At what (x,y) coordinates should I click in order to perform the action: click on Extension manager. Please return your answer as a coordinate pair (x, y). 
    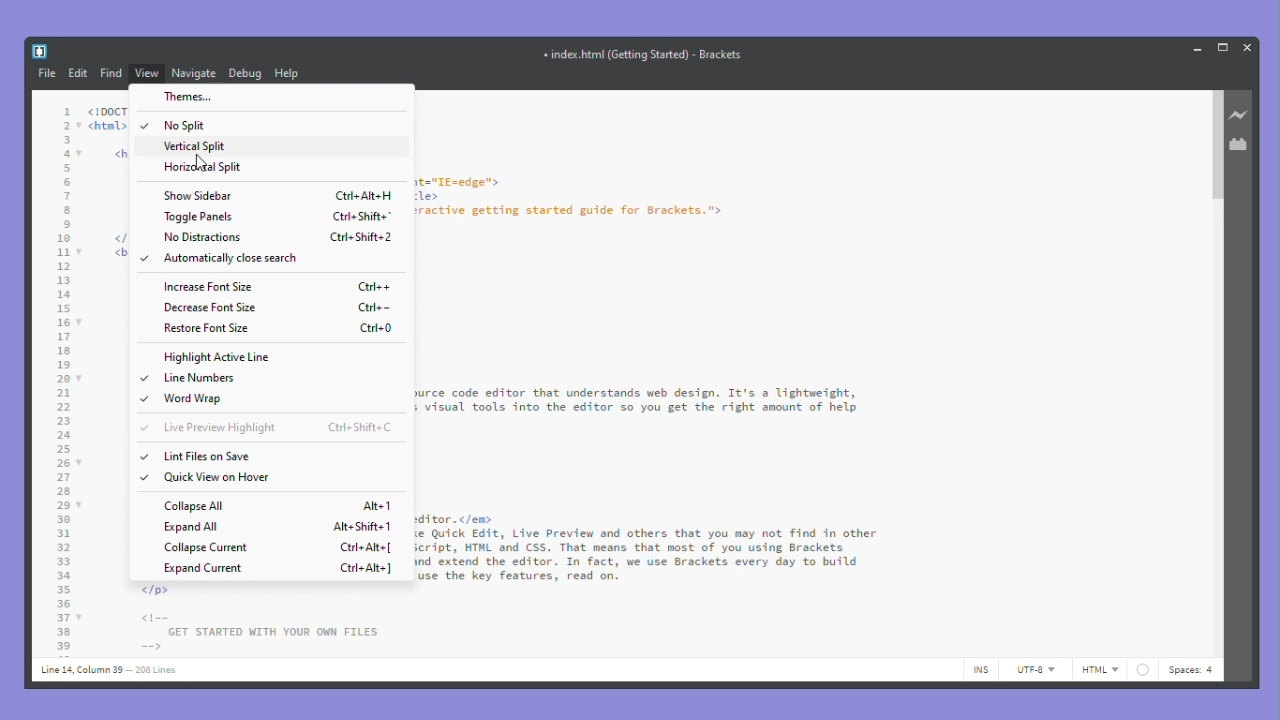
    Looking at the image, I should click on (1241, 144).